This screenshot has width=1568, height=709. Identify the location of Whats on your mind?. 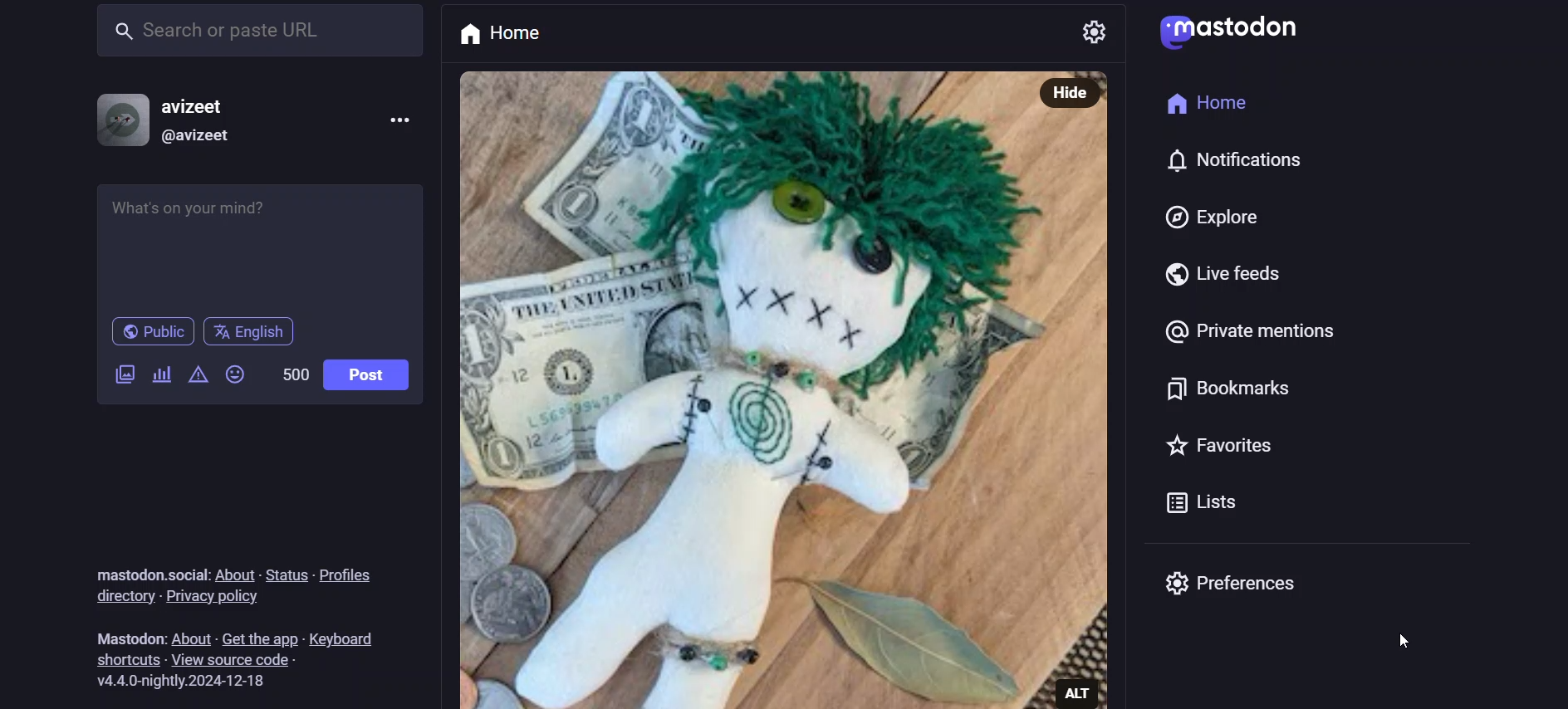
(257, 242).